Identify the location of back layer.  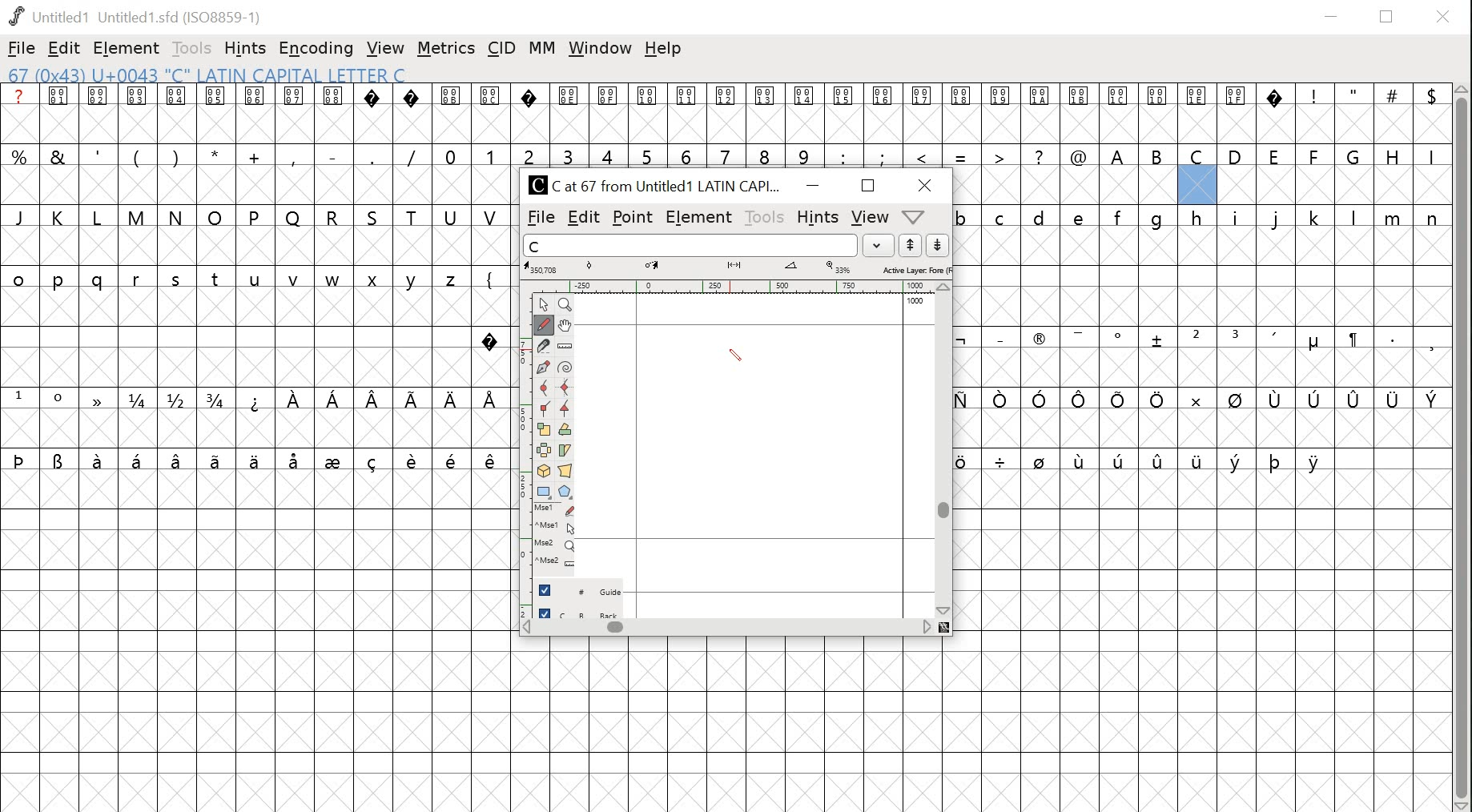
(581, 611).